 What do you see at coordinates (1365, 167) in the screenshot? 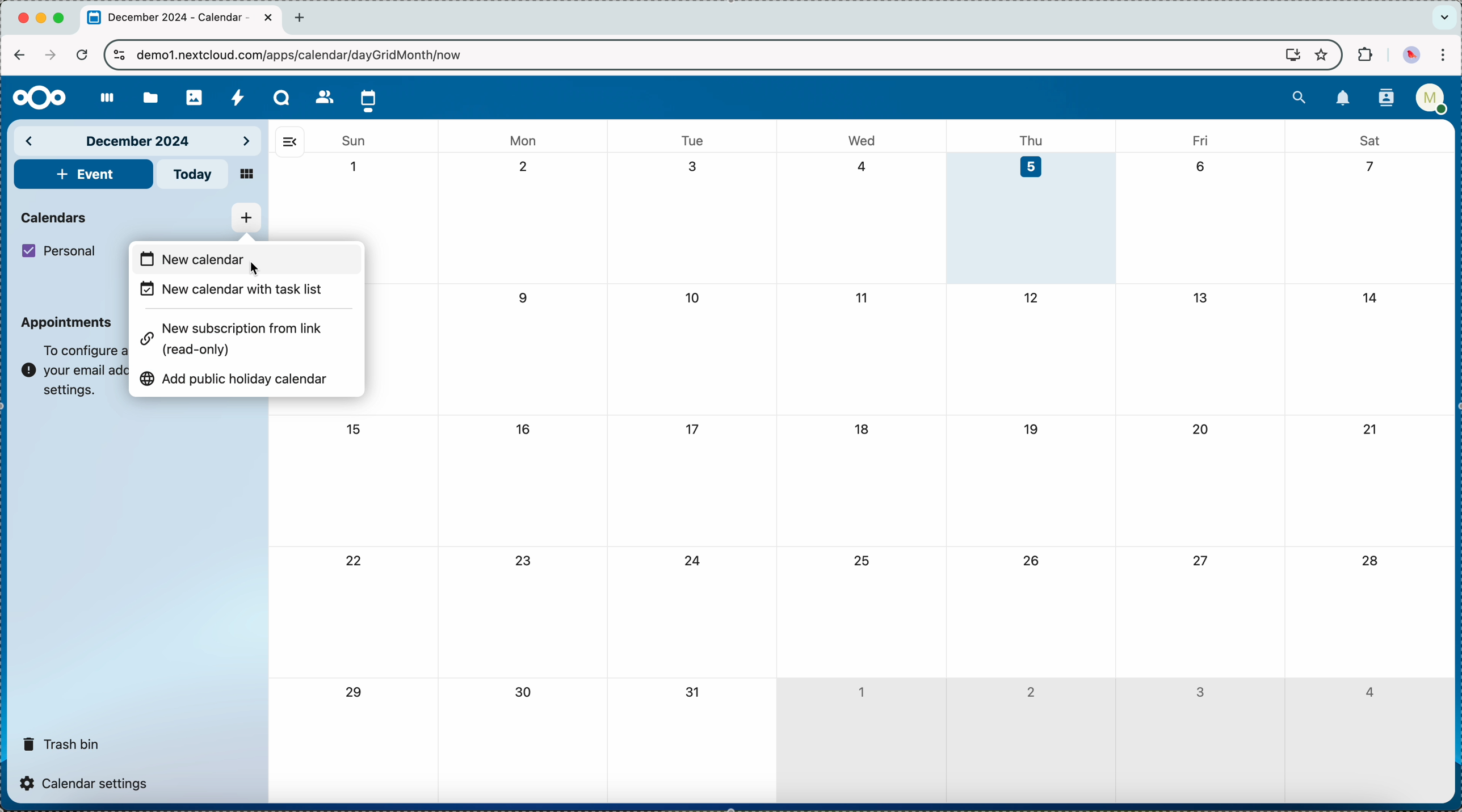
I see `7` at bounding box center [1365, 167].